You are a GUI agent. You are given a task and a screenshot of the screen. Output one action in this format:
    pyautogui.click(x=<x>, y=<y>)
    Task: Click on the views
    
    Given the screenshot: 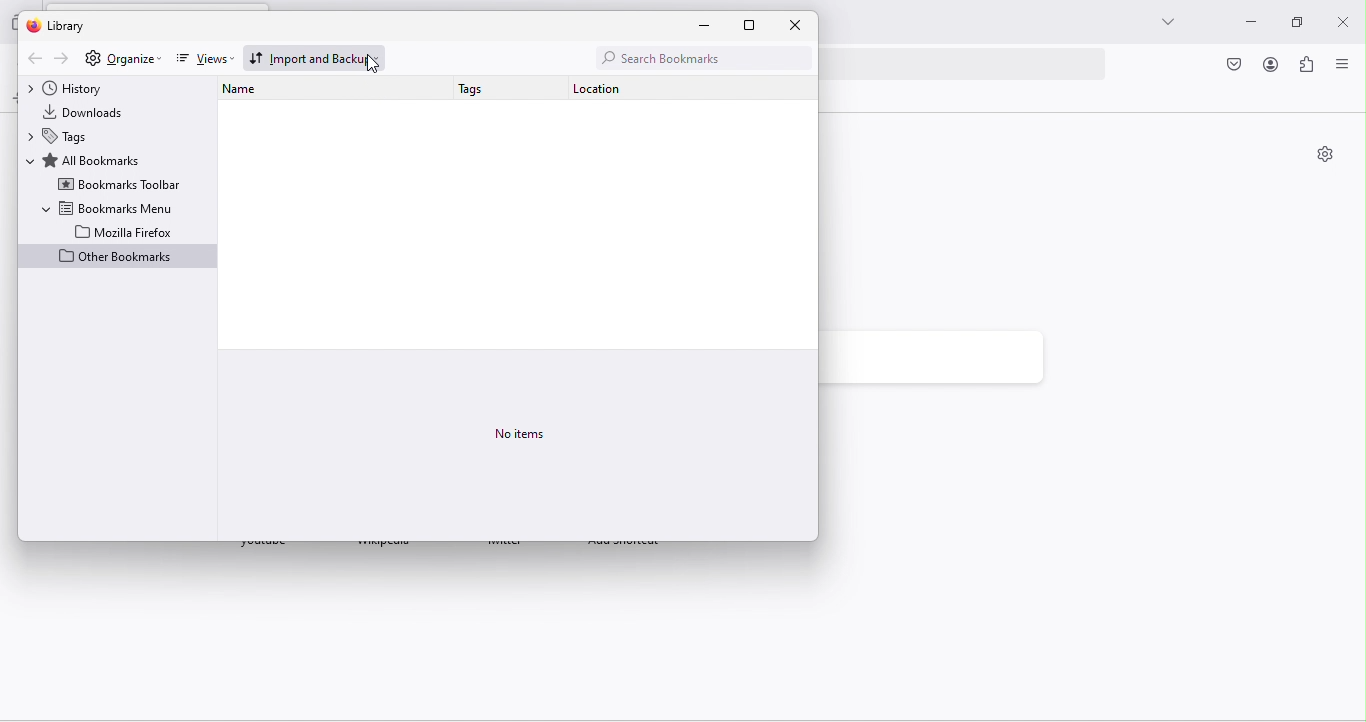 What is the action you would take?
    pyautogui.click(x=201, y=60)
    